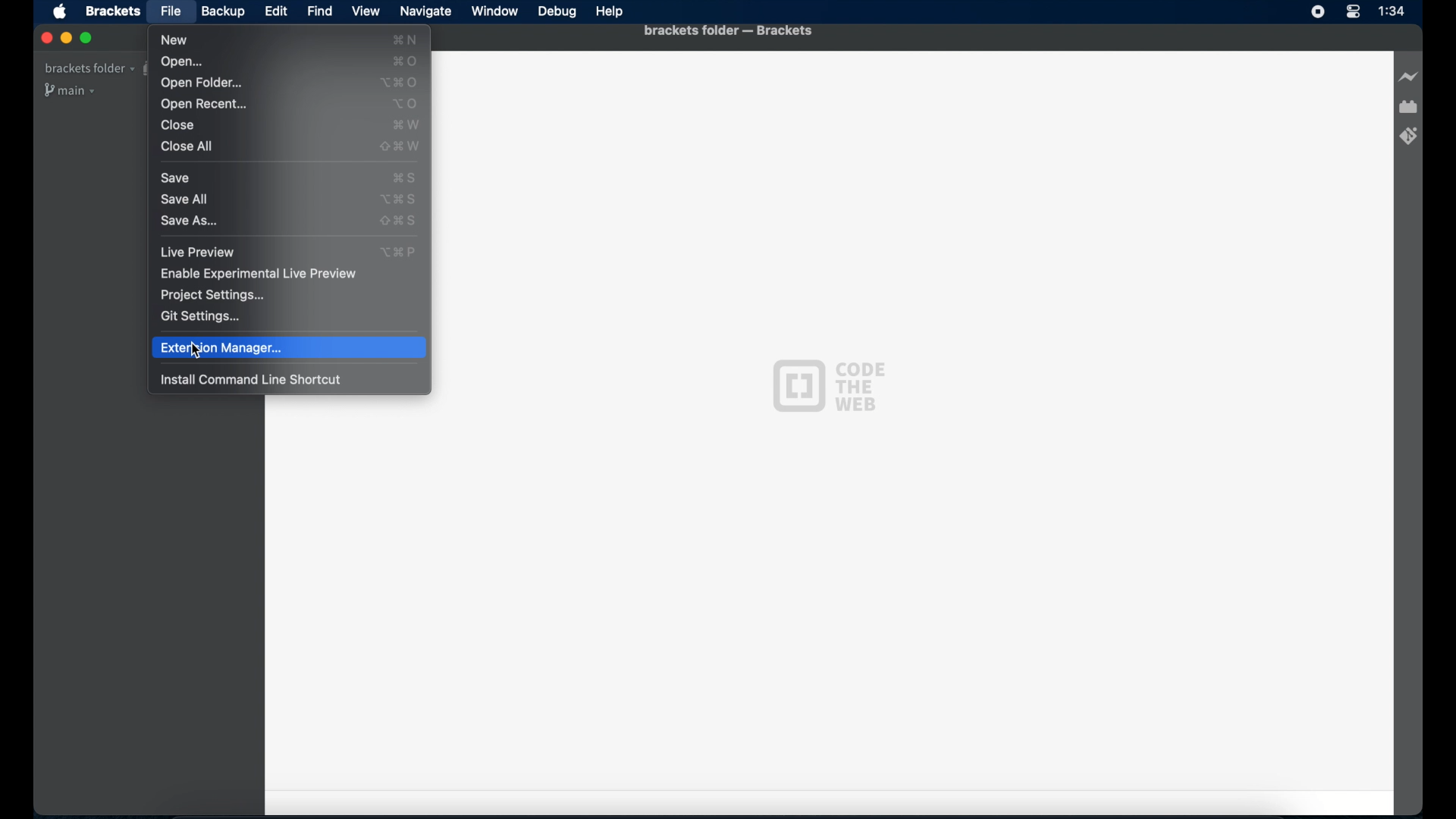 The width and height of the screenshot is (1456, 819). What do you see at coordinates (397, 221) in the screenshot?
I see `save as shortcut` at bounding box center [397, 221].